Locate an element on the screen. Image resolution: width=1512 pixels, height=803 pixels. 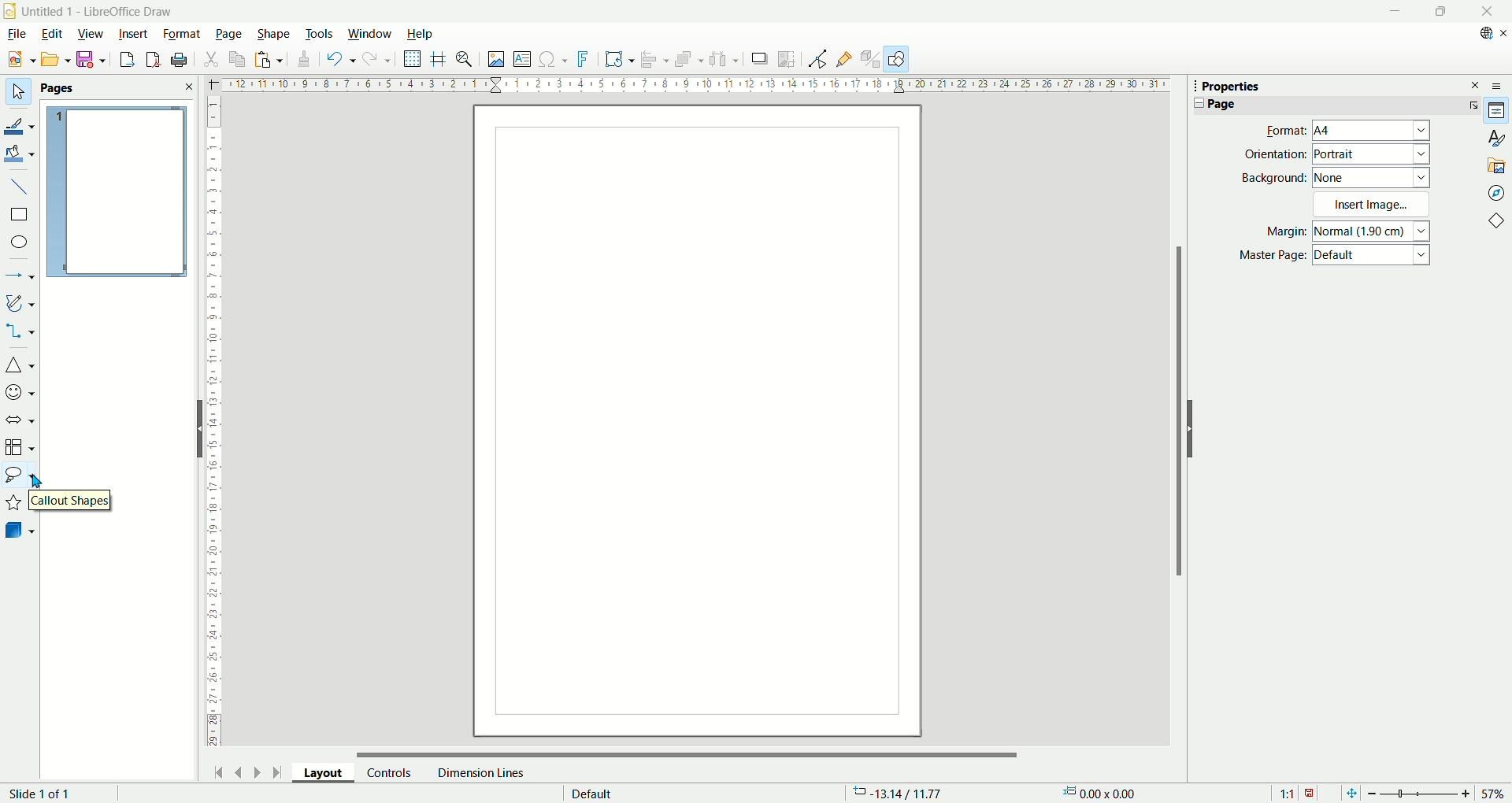
window is located at coordinates (370, 35).